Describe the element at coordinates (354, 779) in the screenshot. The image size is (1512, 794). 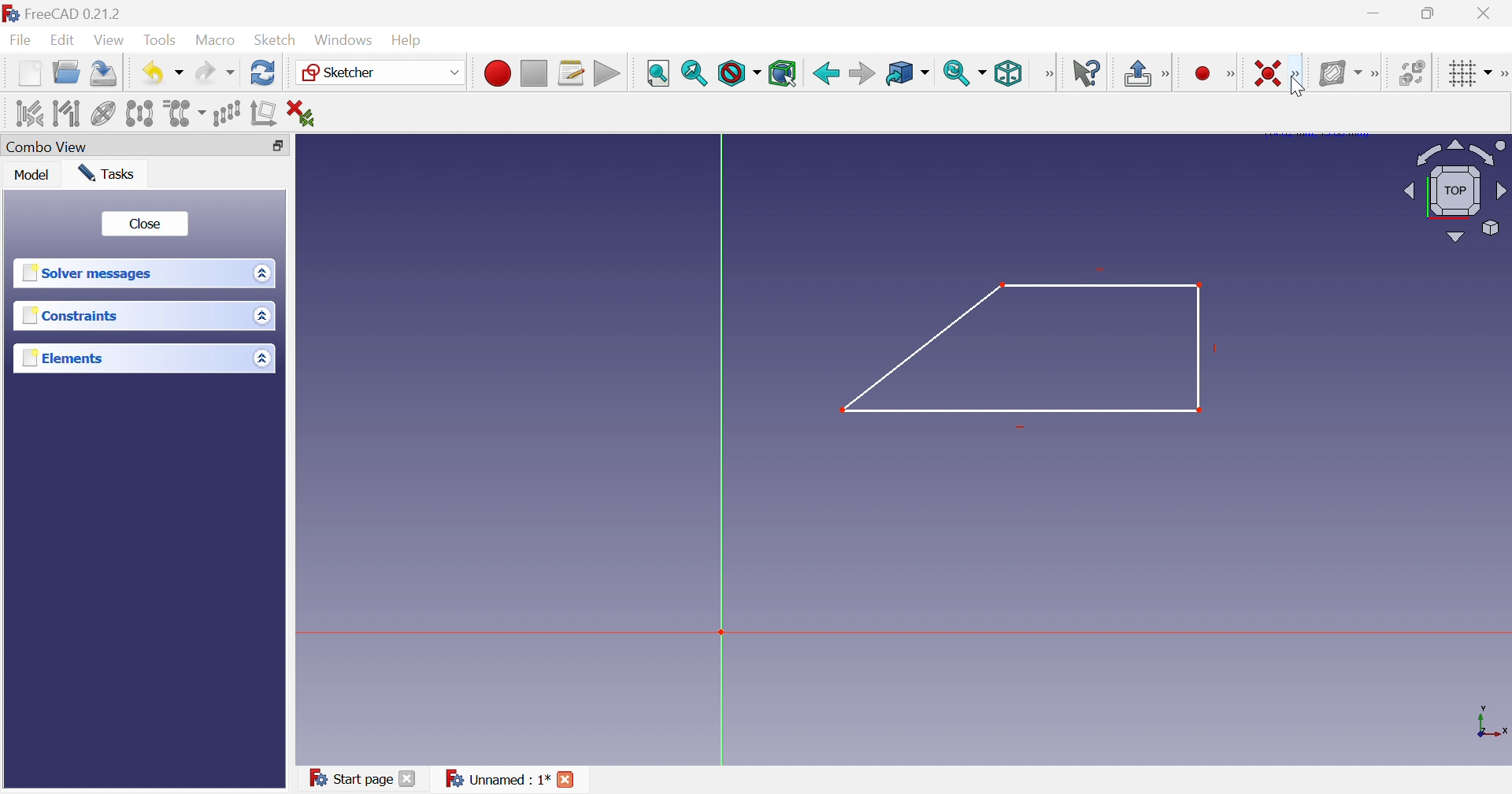
I see `Start page` at that location.